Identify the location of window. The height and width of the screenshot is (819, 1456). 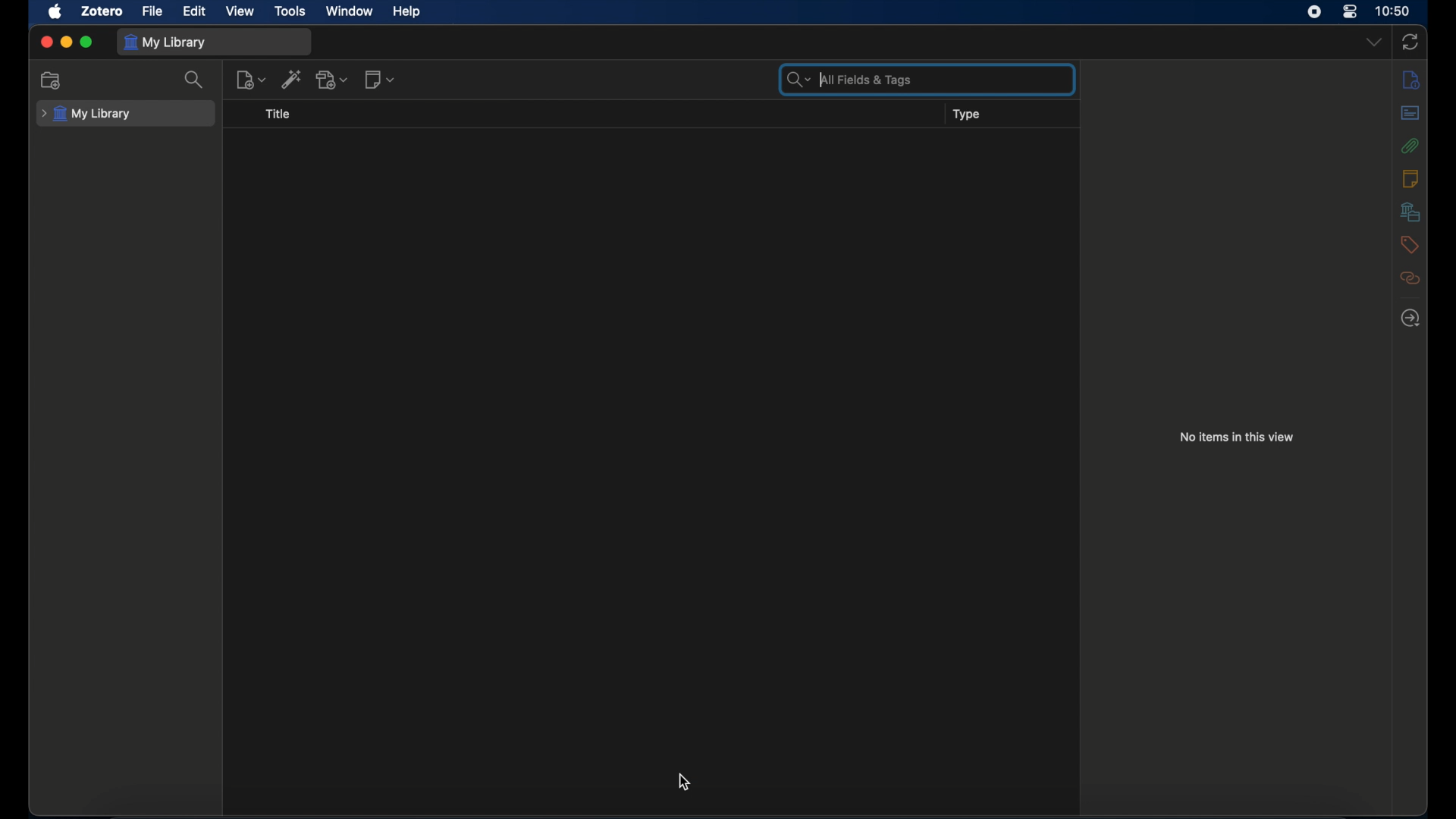
(350, 11).